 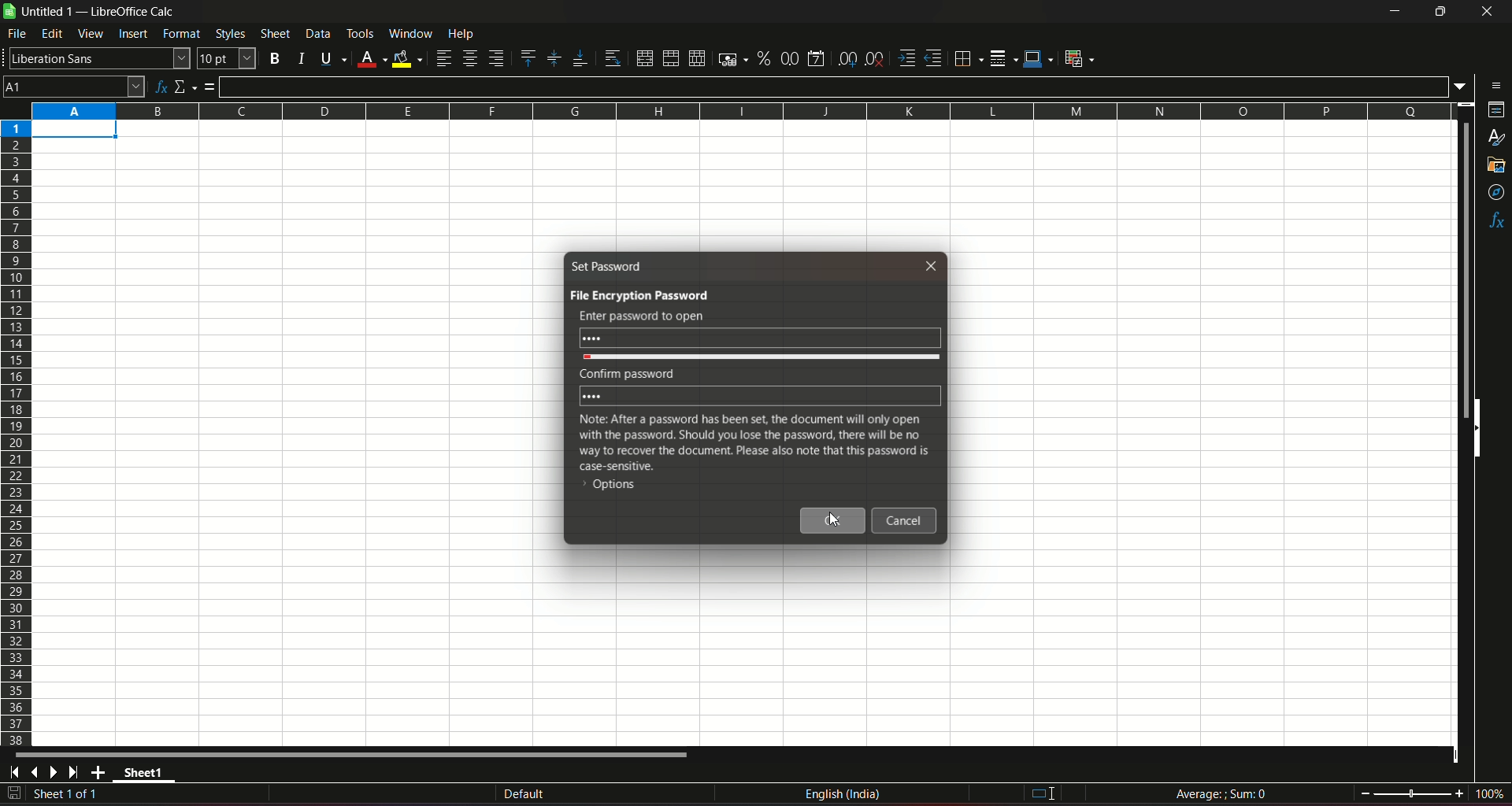 I want to click on format as number, so click(x=790, y=58).